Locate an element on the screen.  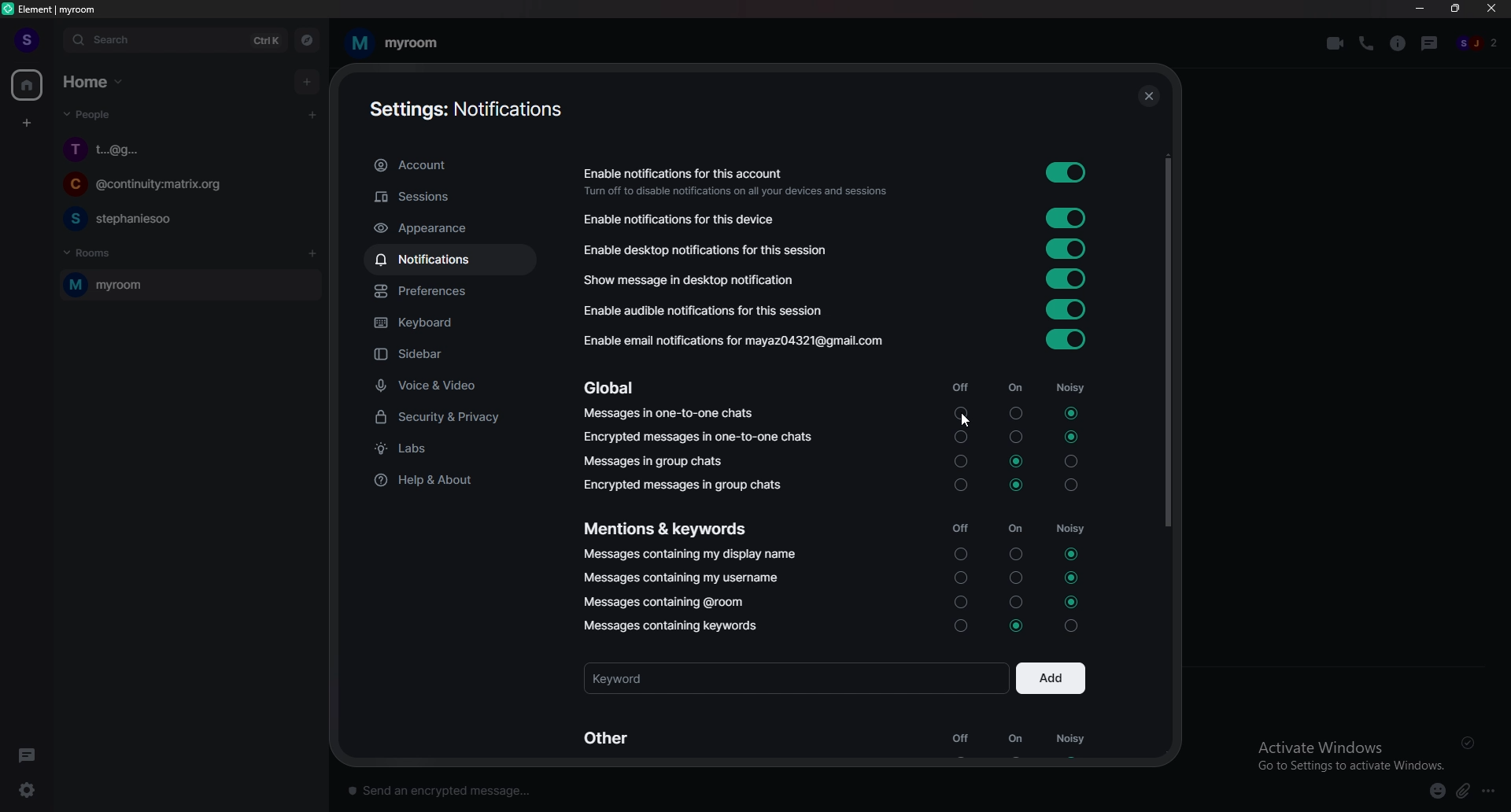
help and about is located at coordinates (449, 478).